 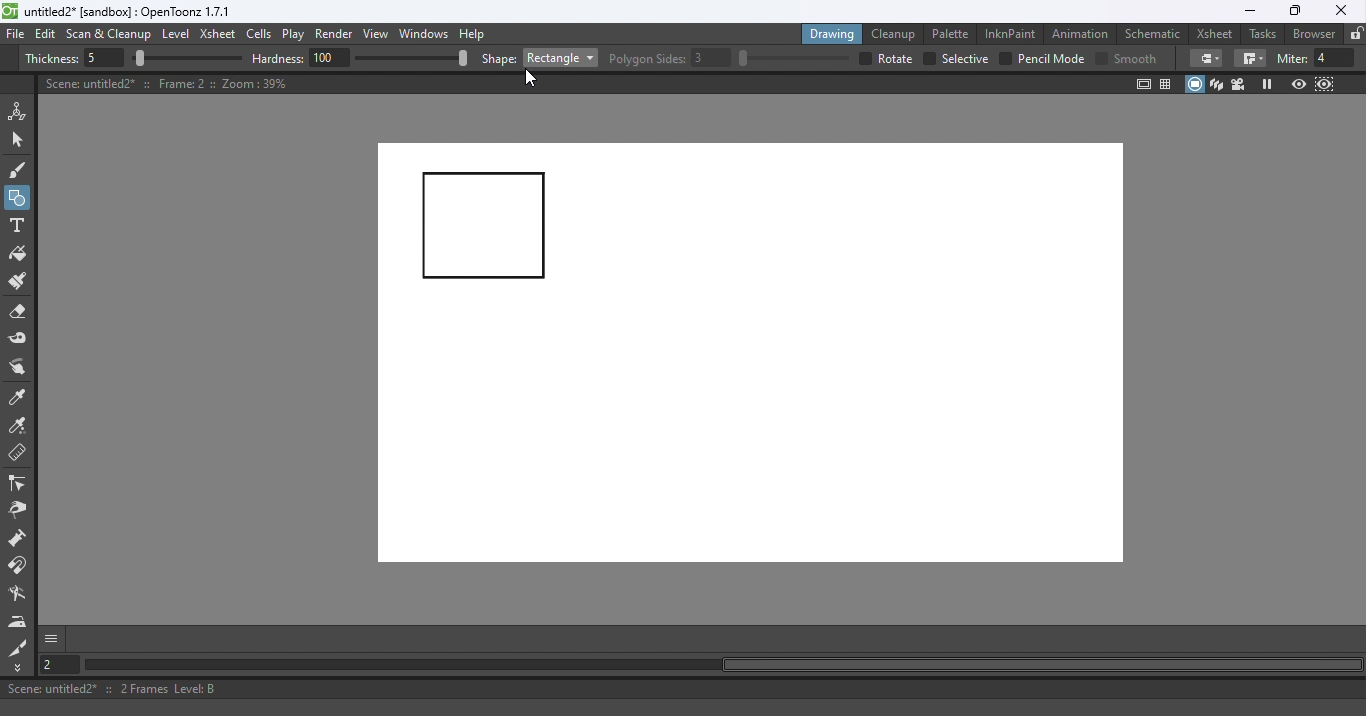 I want to click on checkbox, so click(x=928, y=59).